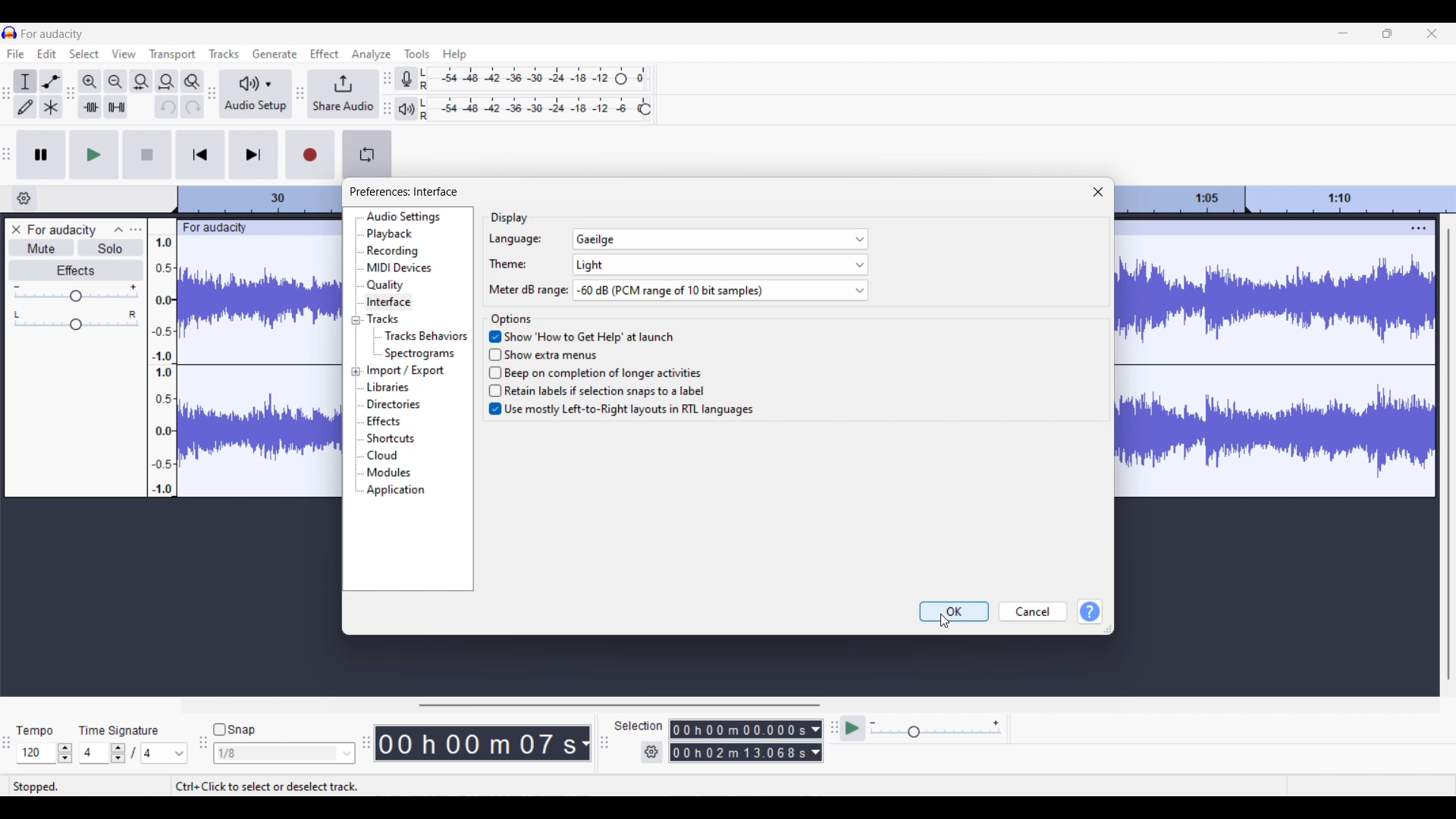  I want to click on Play at speed/Play at speed once, so click(853, 729).